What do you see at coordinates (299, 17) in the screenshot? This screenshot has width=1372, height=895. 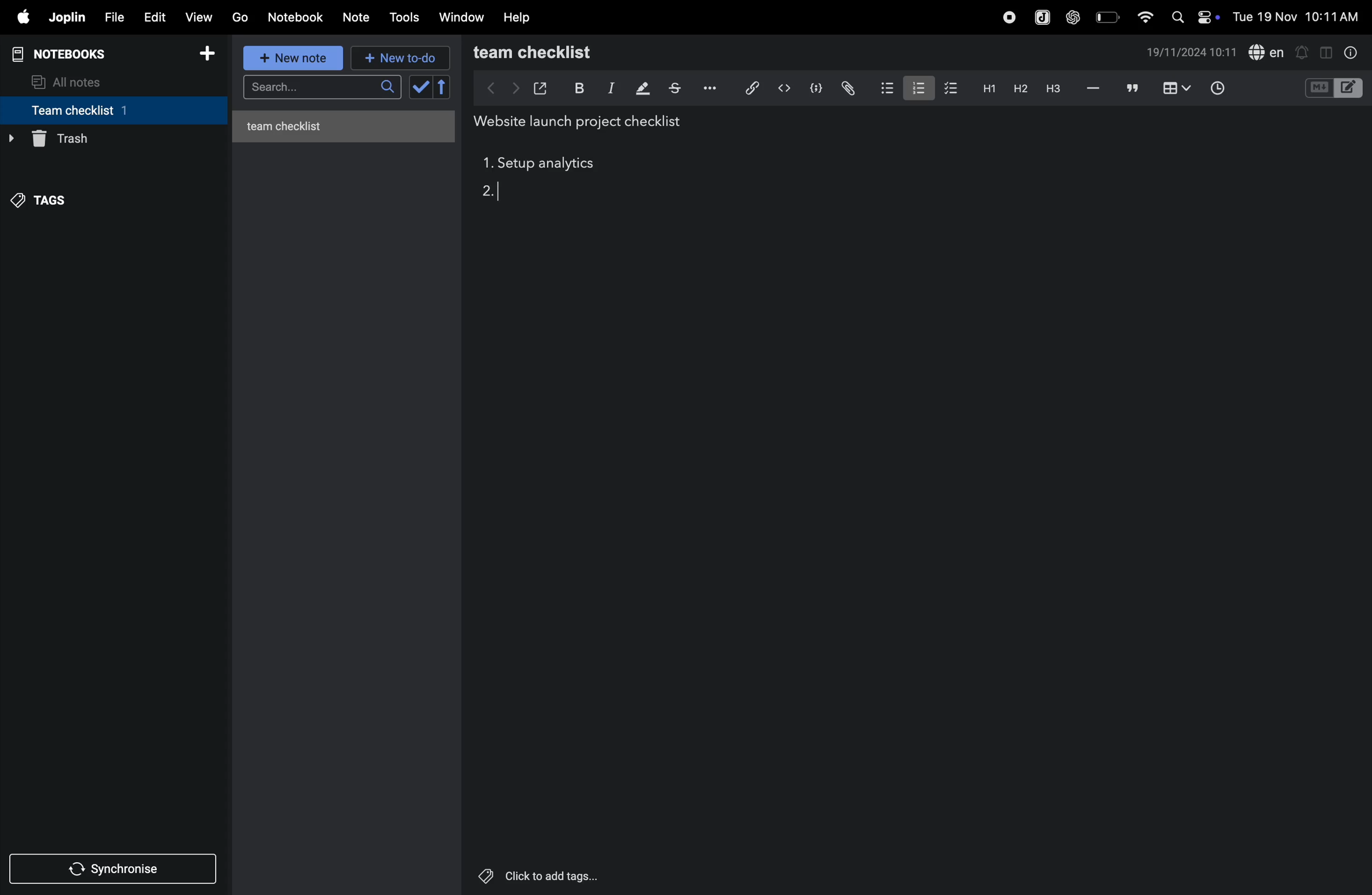 I see `Notebook` at bounding box center [299, 17].